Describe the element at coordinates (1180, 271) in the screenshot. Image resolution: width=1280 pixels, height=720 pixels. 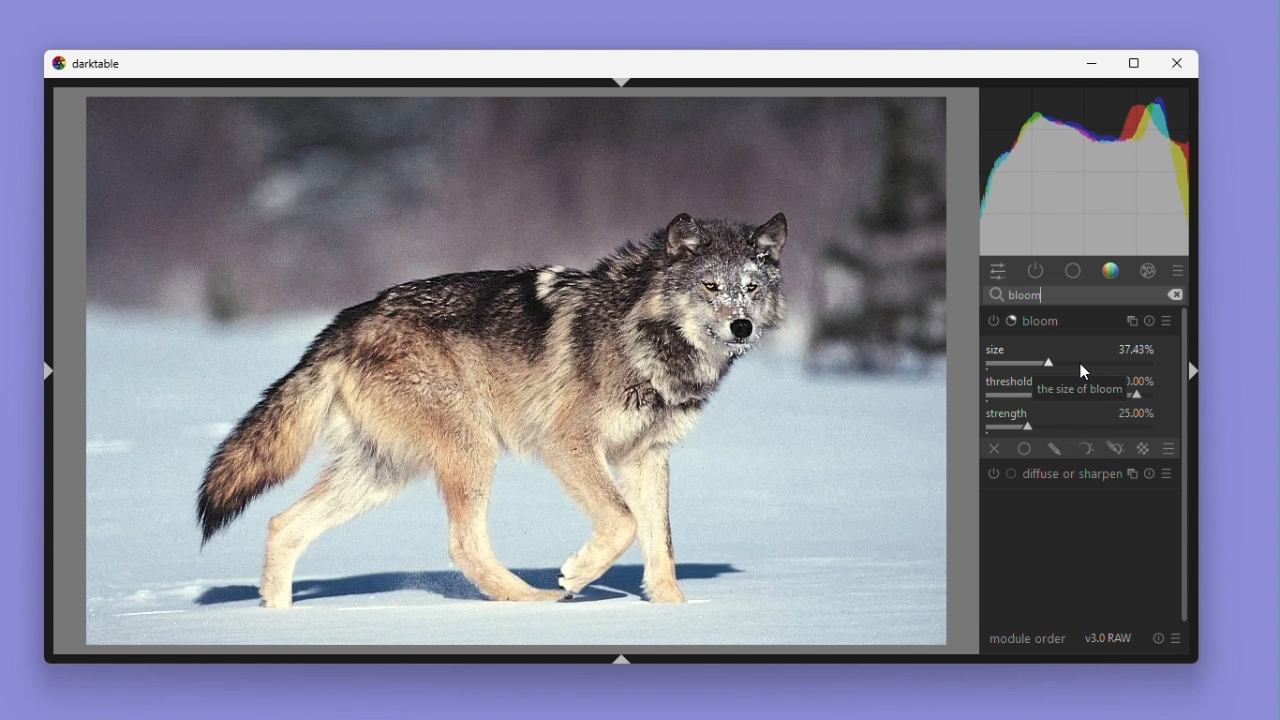
I see `Preset ` at that location.